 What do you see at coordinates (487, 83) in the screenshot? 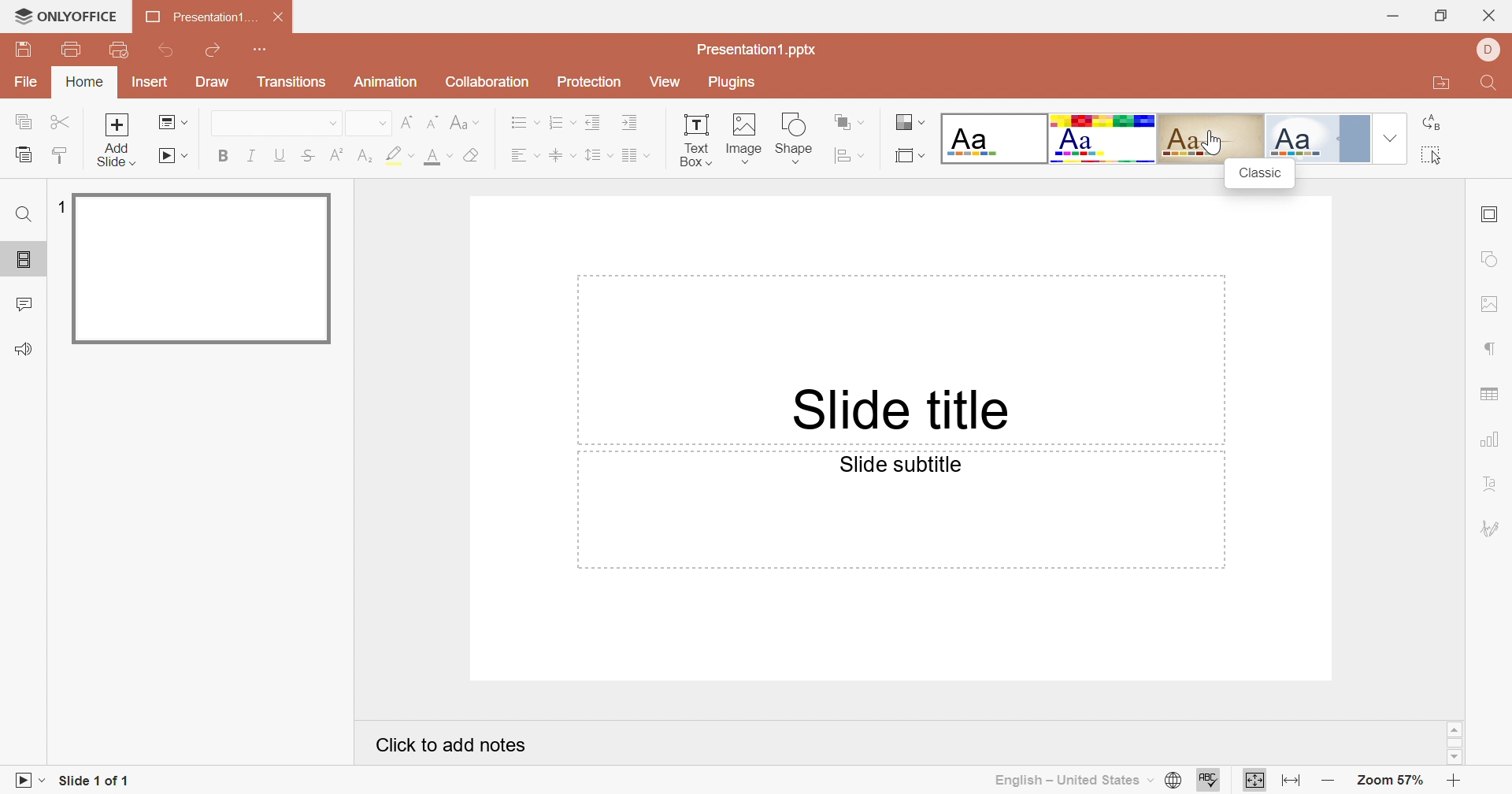
I see `Collaboration` at bounding box center [487, 83].